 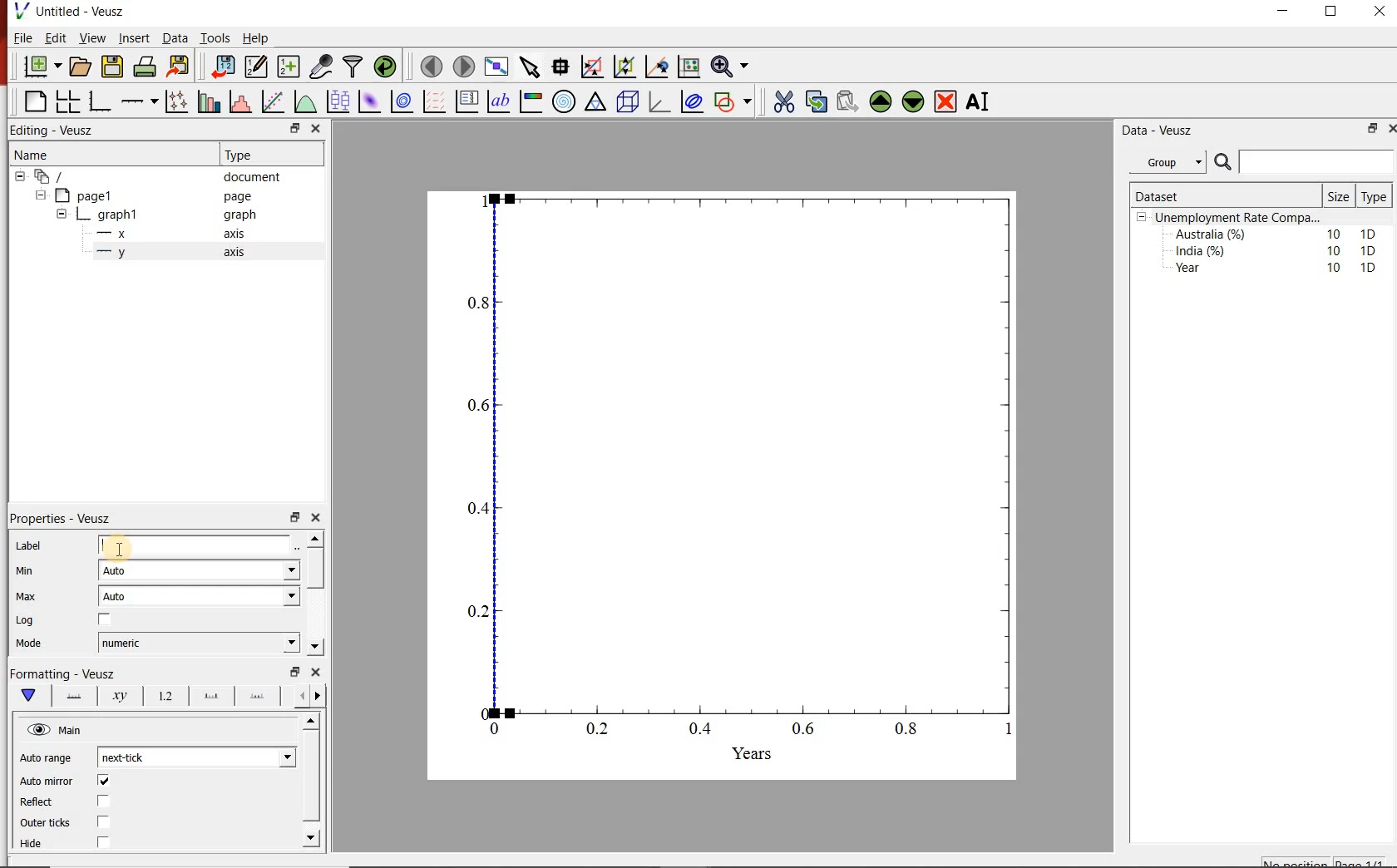 What do you see at coordinates (313, 721) in the screenshot?
I see `move up` at bounding box center [313, 721].